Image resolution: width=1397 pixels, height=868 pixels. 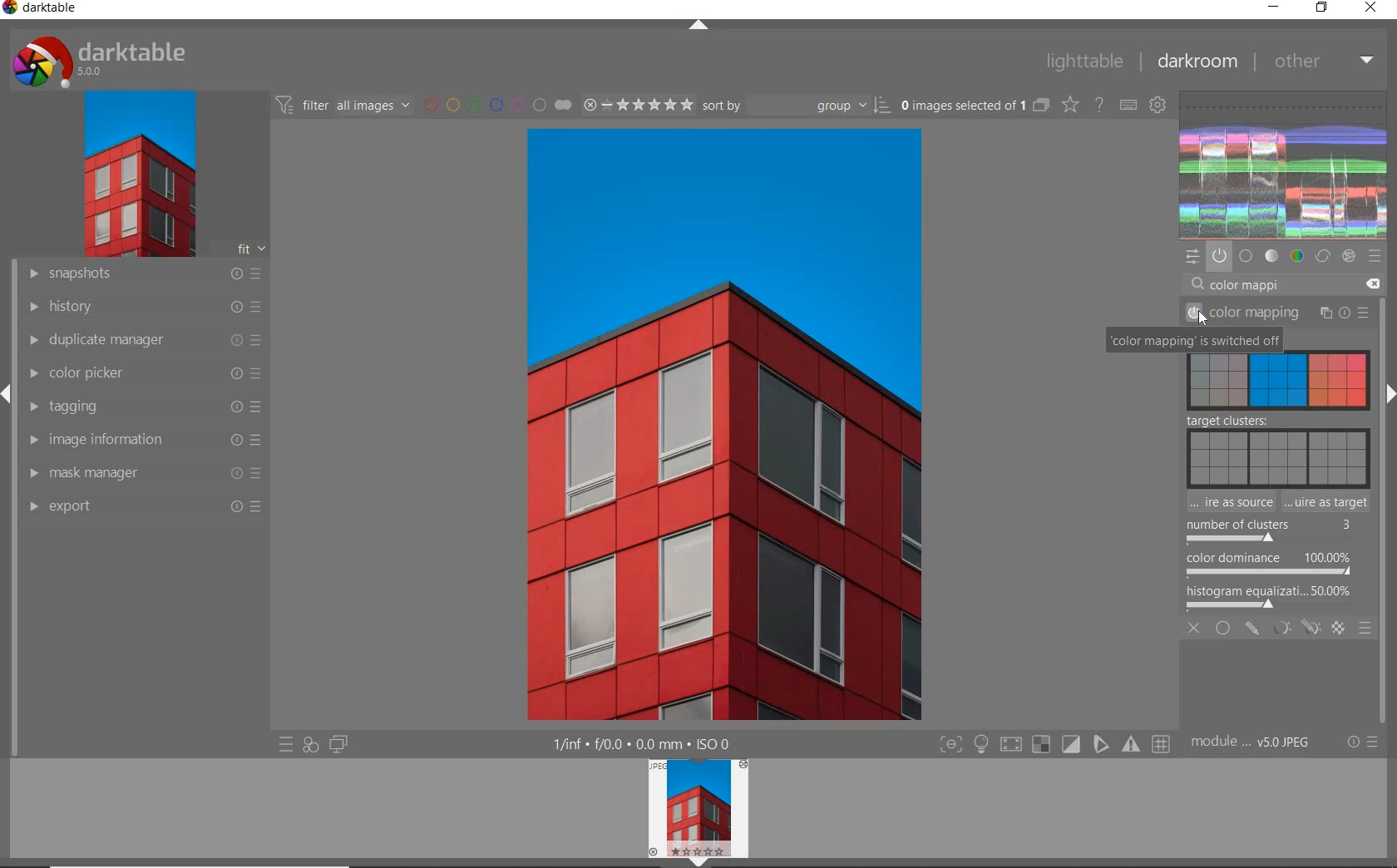 I want to click on darktable, so click(x=116, y=57).